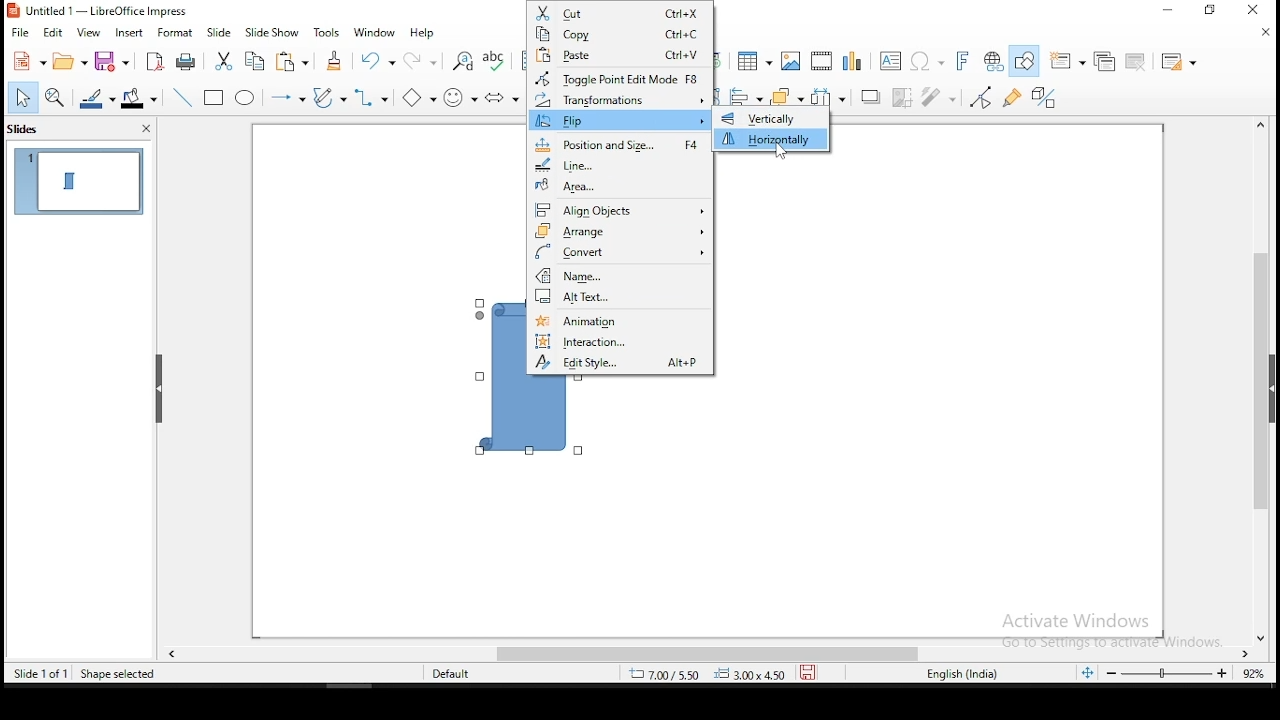 The height and width of the screenshot is (720, 1280). What do you see at coordinates (786, 98) in the screenshot?
I see `arrange` at bounding box center [786, 98].